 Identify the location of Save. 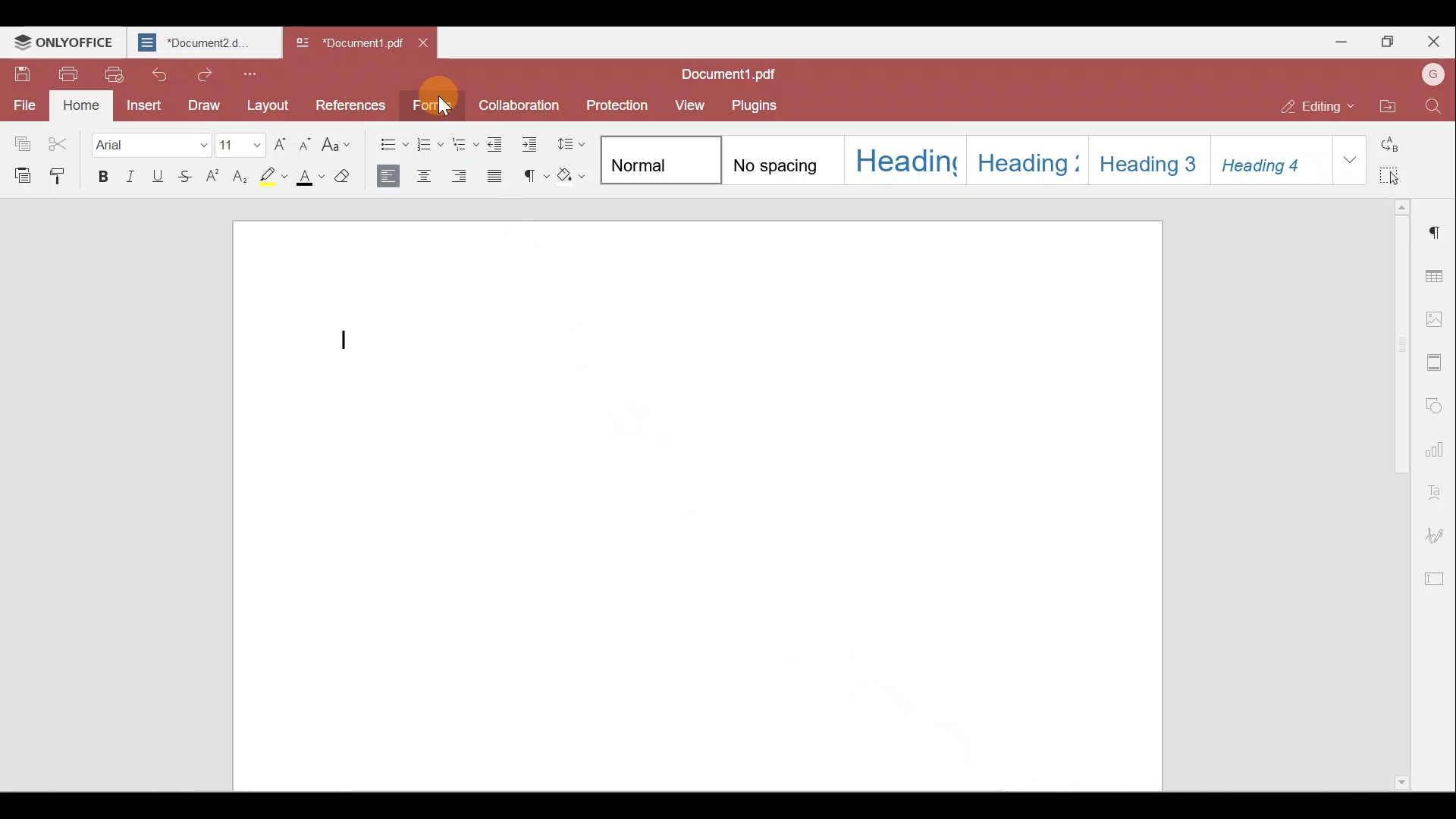
(20, 73).